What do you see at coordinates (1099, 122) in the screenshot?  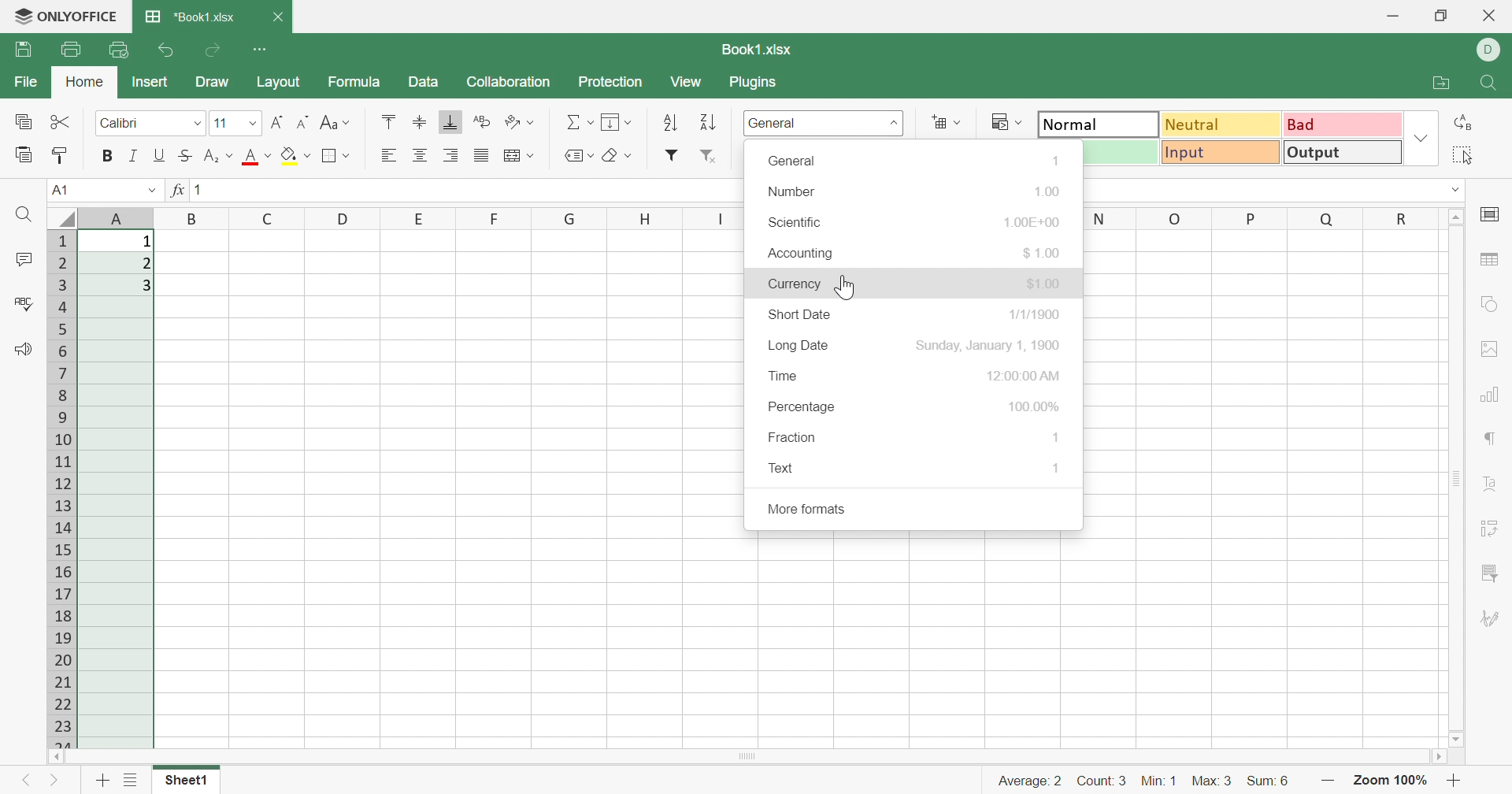 I see `Normal` at bounding box center [1099, 122].